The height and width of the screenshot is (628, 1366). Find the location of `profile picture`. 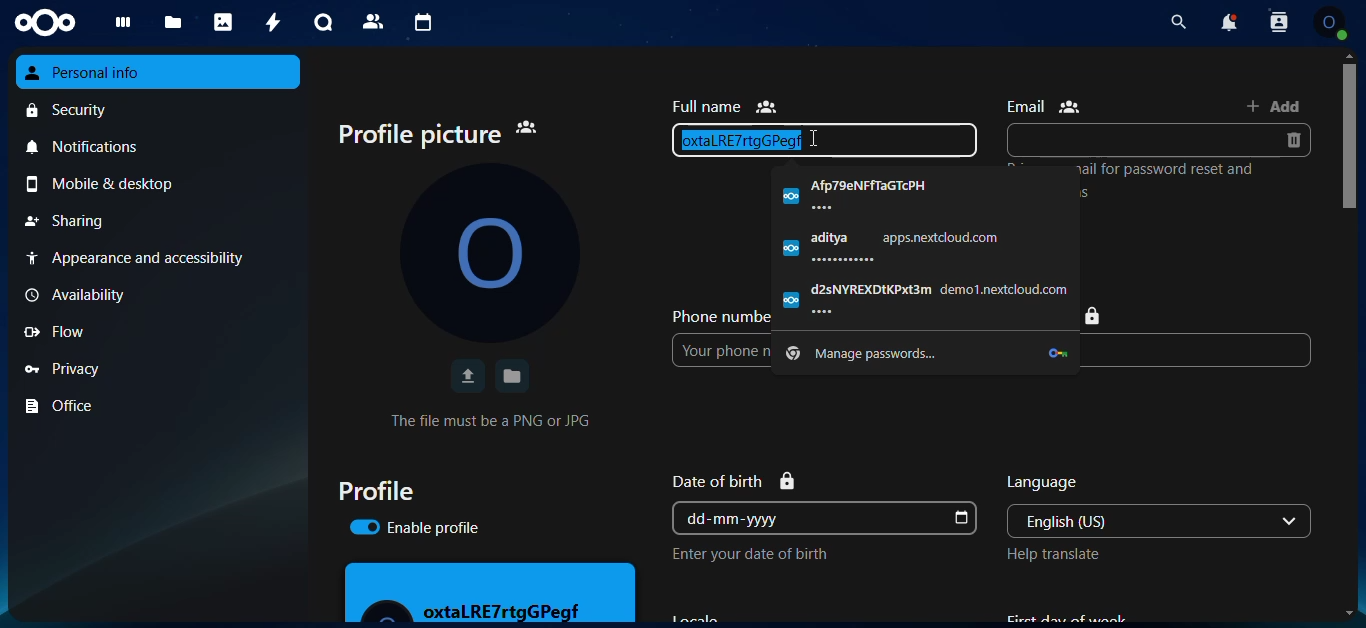

profile picture is located at coordinates (438, 135).